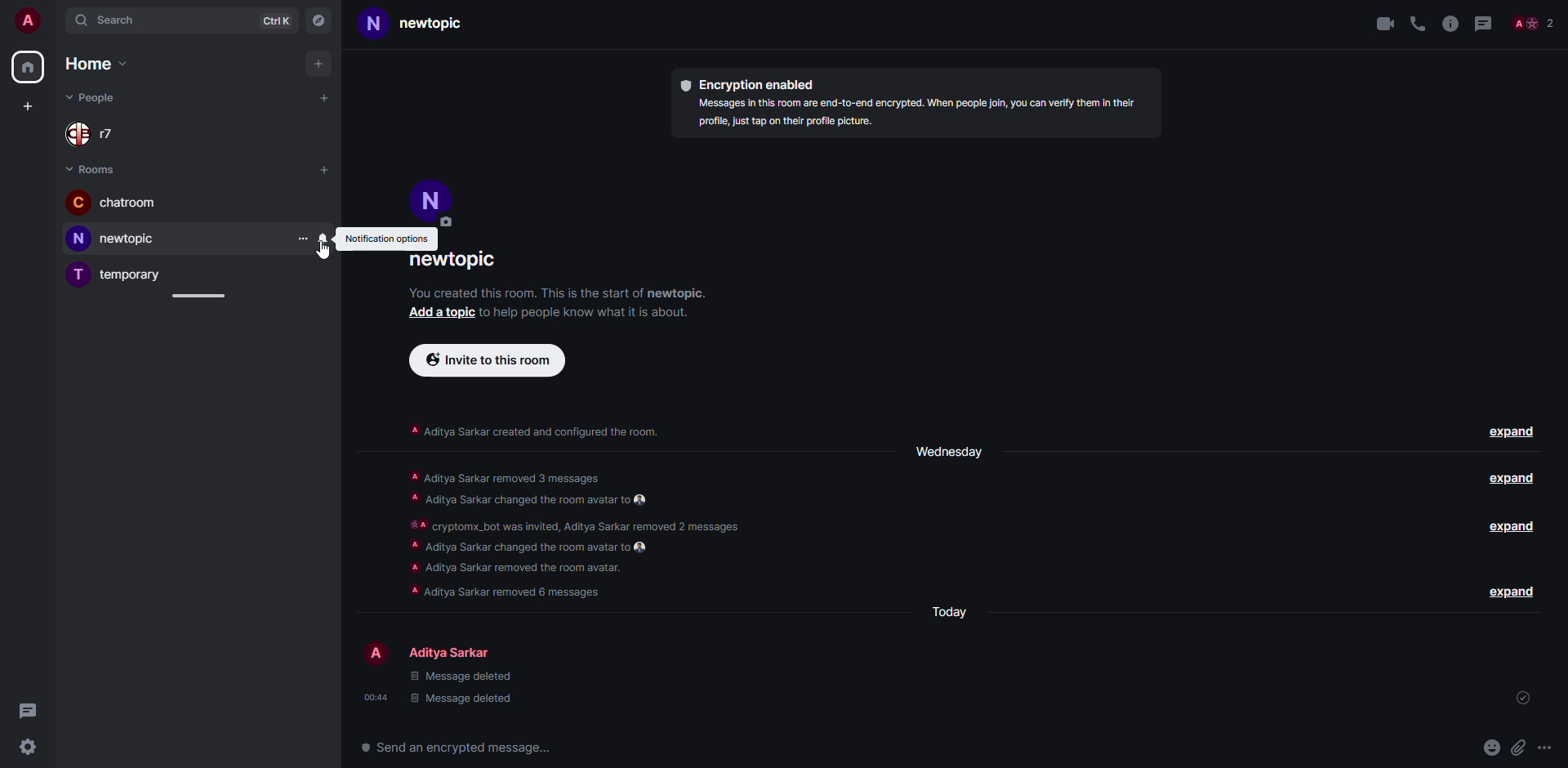  What do you see at coordinates (463, 748) in the screenshot?
I see `send an encrypted message` at bounding box center [463, 748].